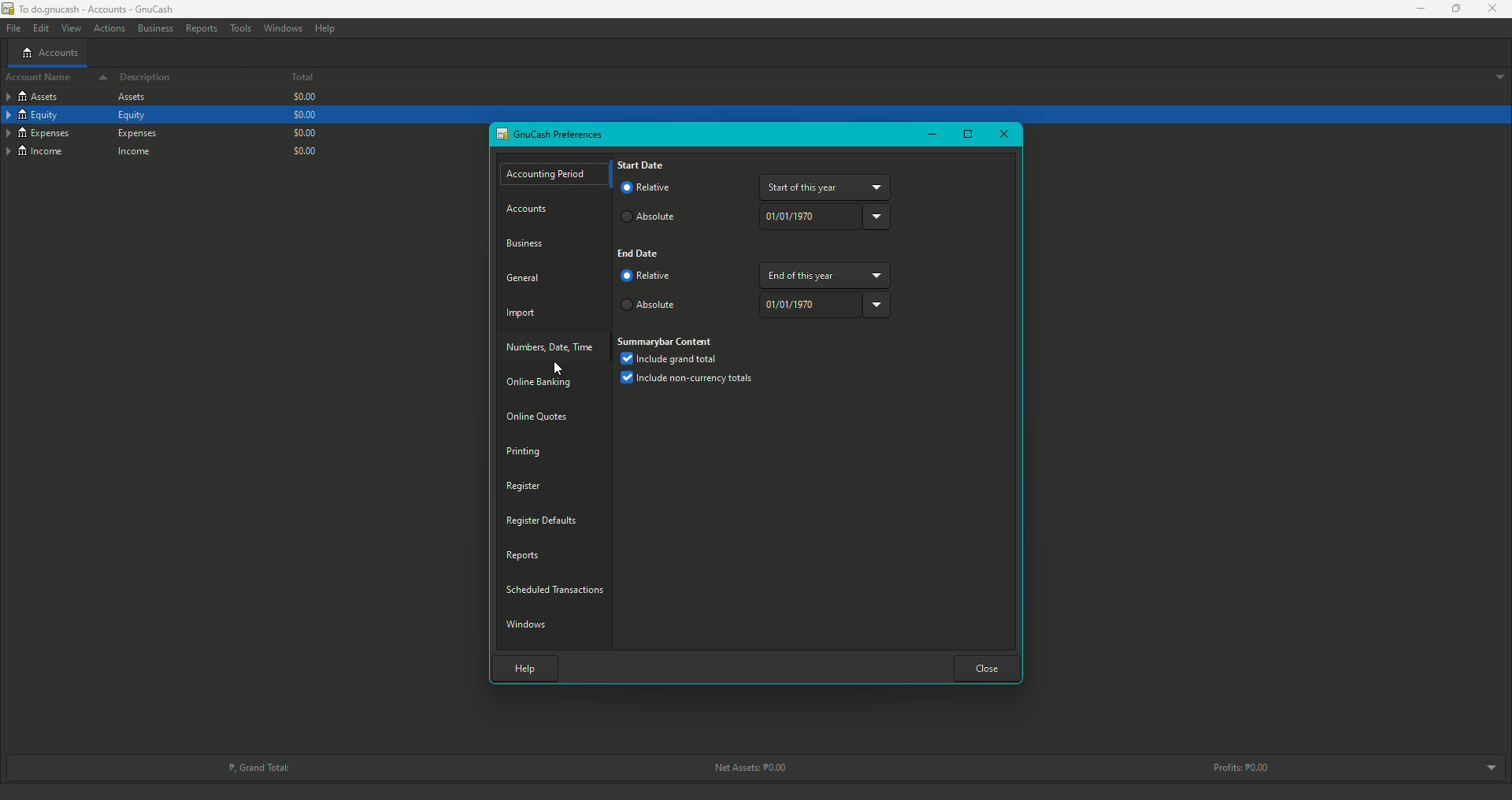 Image resolution: width=1512 pixels, height=800 pixels. Describe the element at coordinates (649, 218) in the screenshot. I see `Absolute` at that location.